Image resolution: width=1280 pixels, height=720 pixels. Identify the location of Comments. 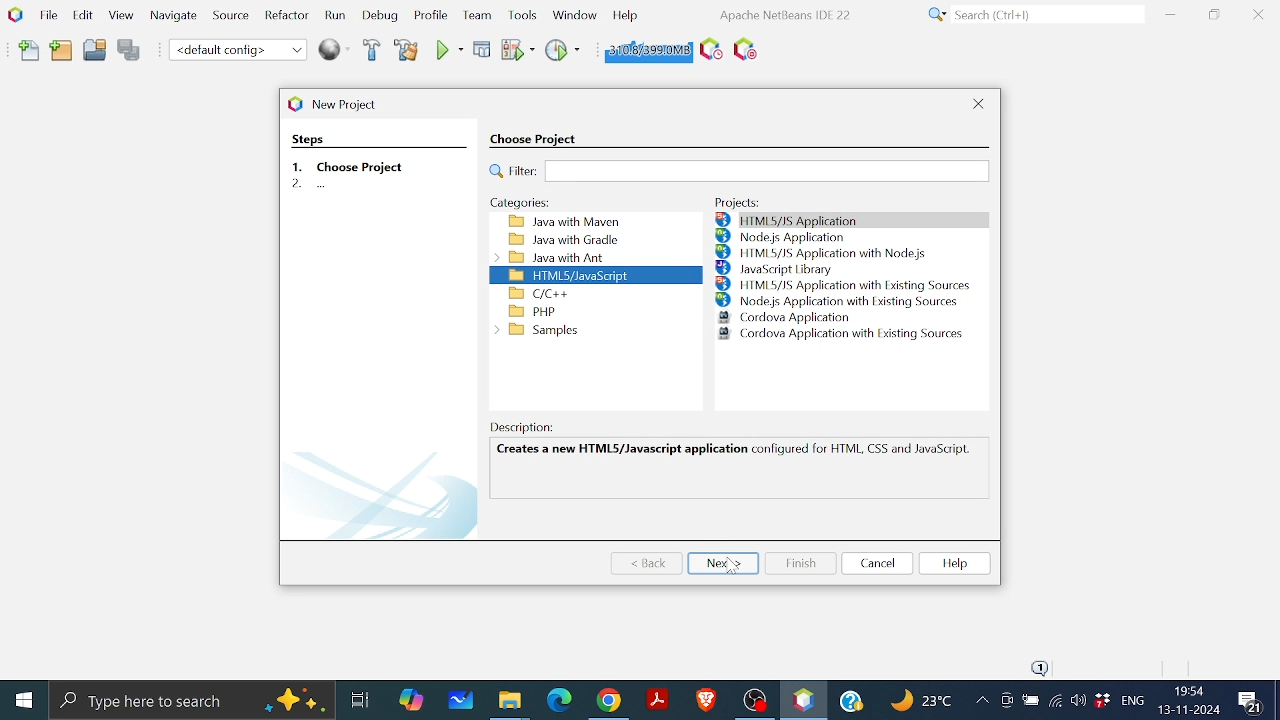
(1253, 701).